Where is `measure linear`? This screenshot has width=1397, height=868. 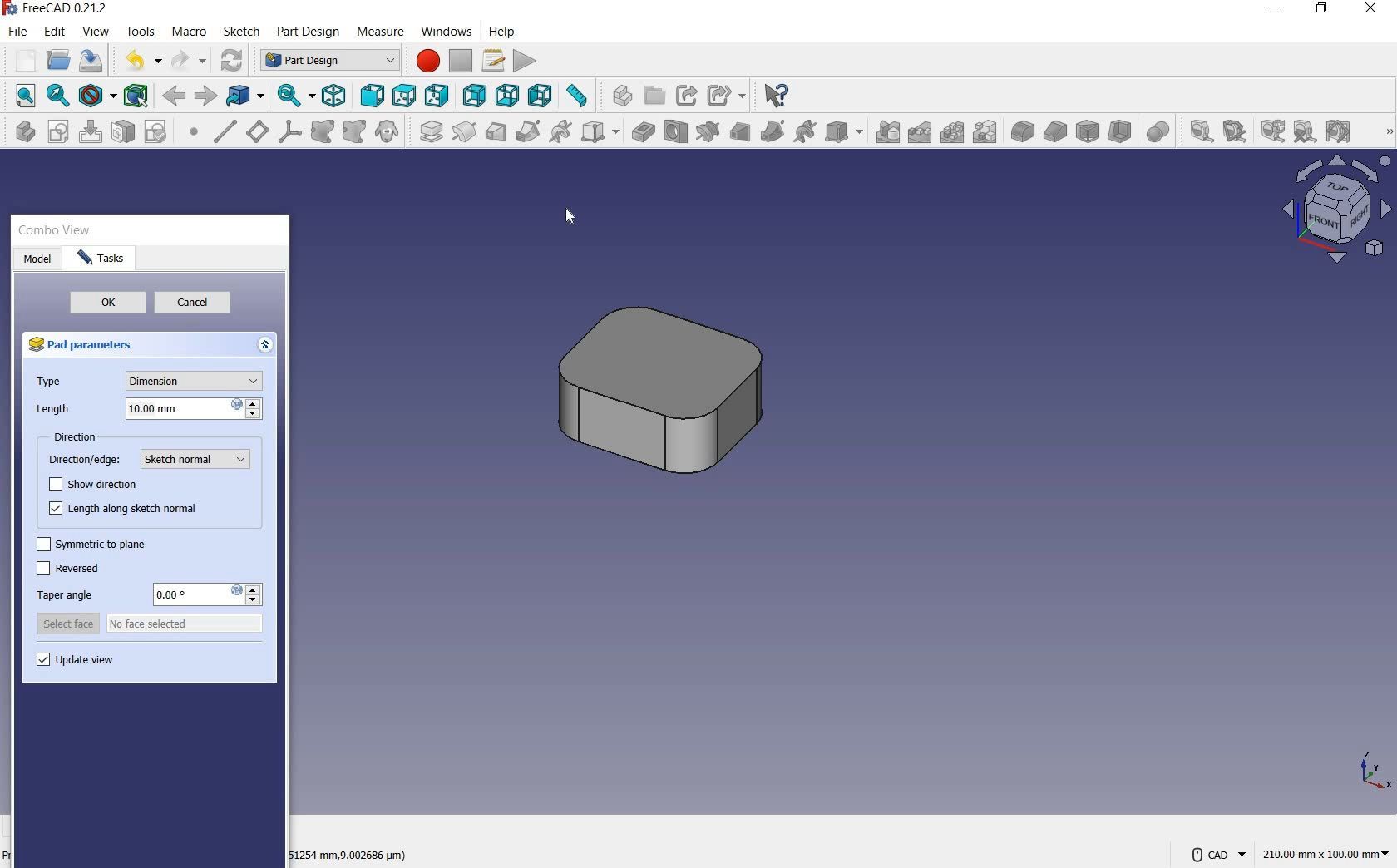 measure linear is located at coordinates (1198, 131).